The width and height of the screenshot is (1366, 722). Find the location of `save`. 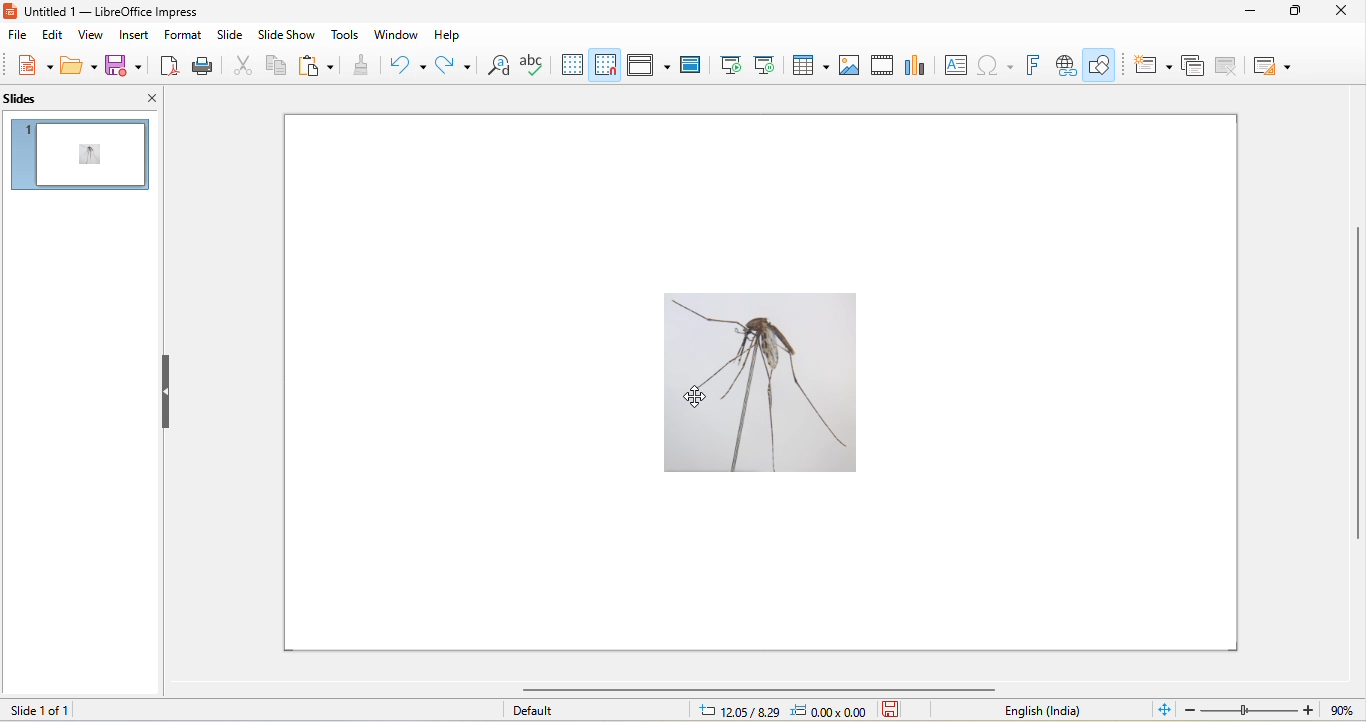

save is located at coordinates (898, 710).